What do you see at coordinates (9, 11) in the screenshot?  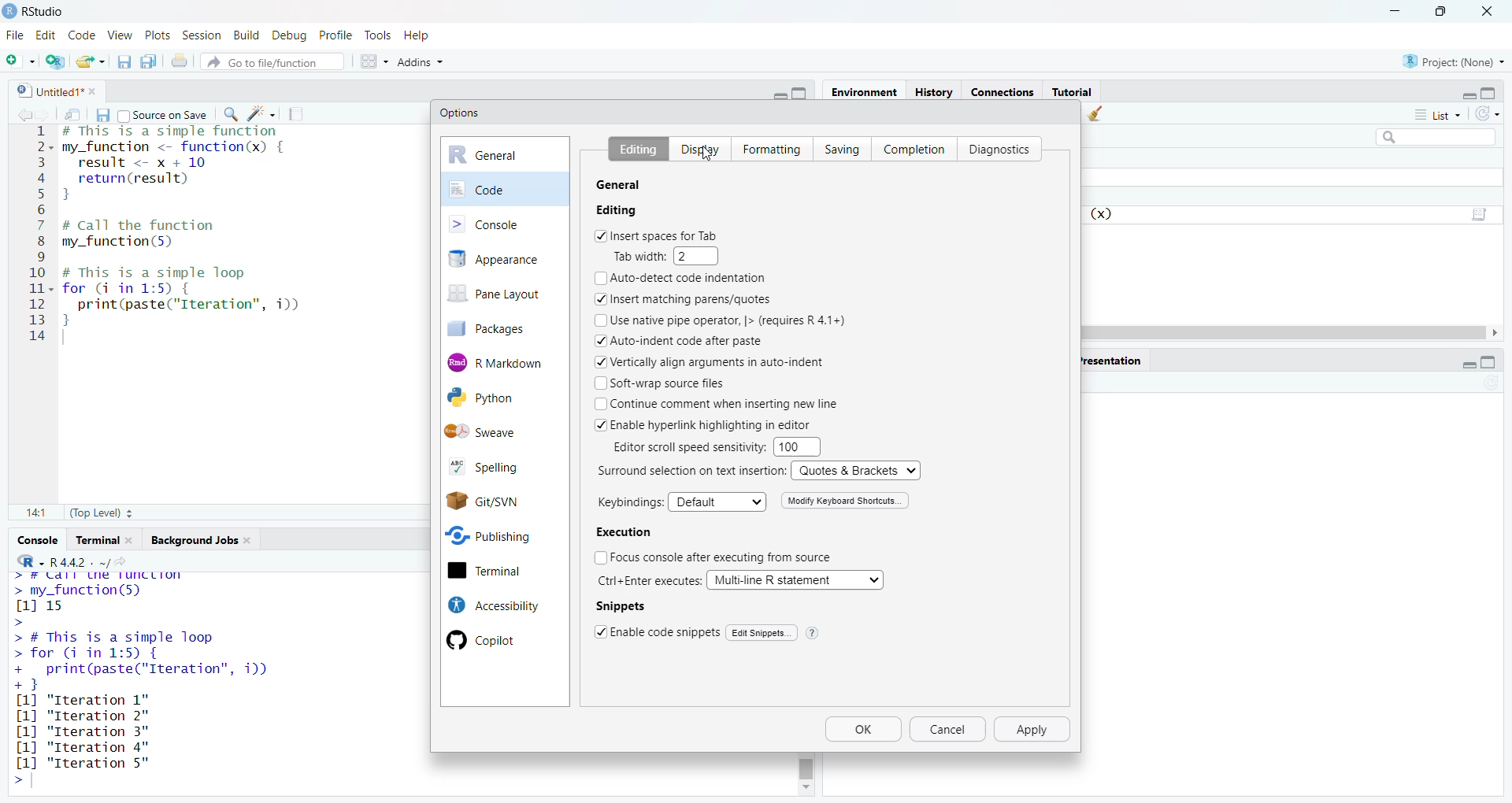 I see `logo` at bounding box center [9, 11].